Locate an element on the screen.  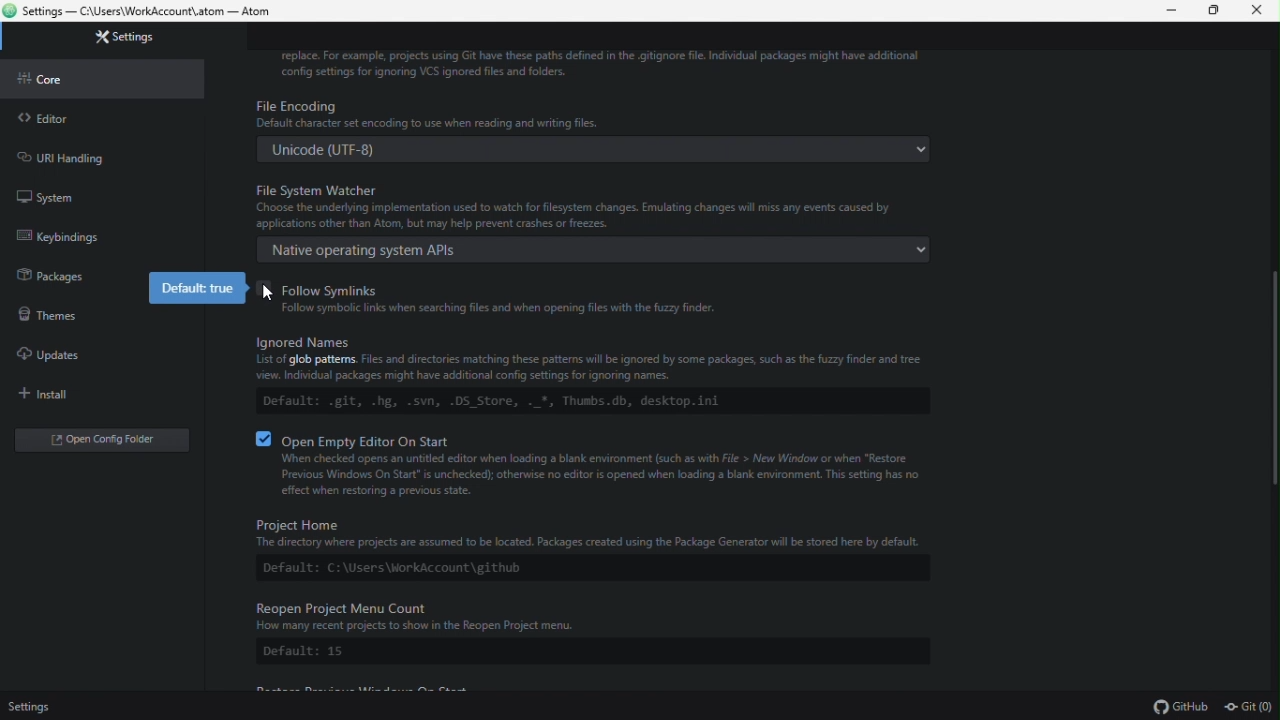
System is located at coordinates (96, 194).